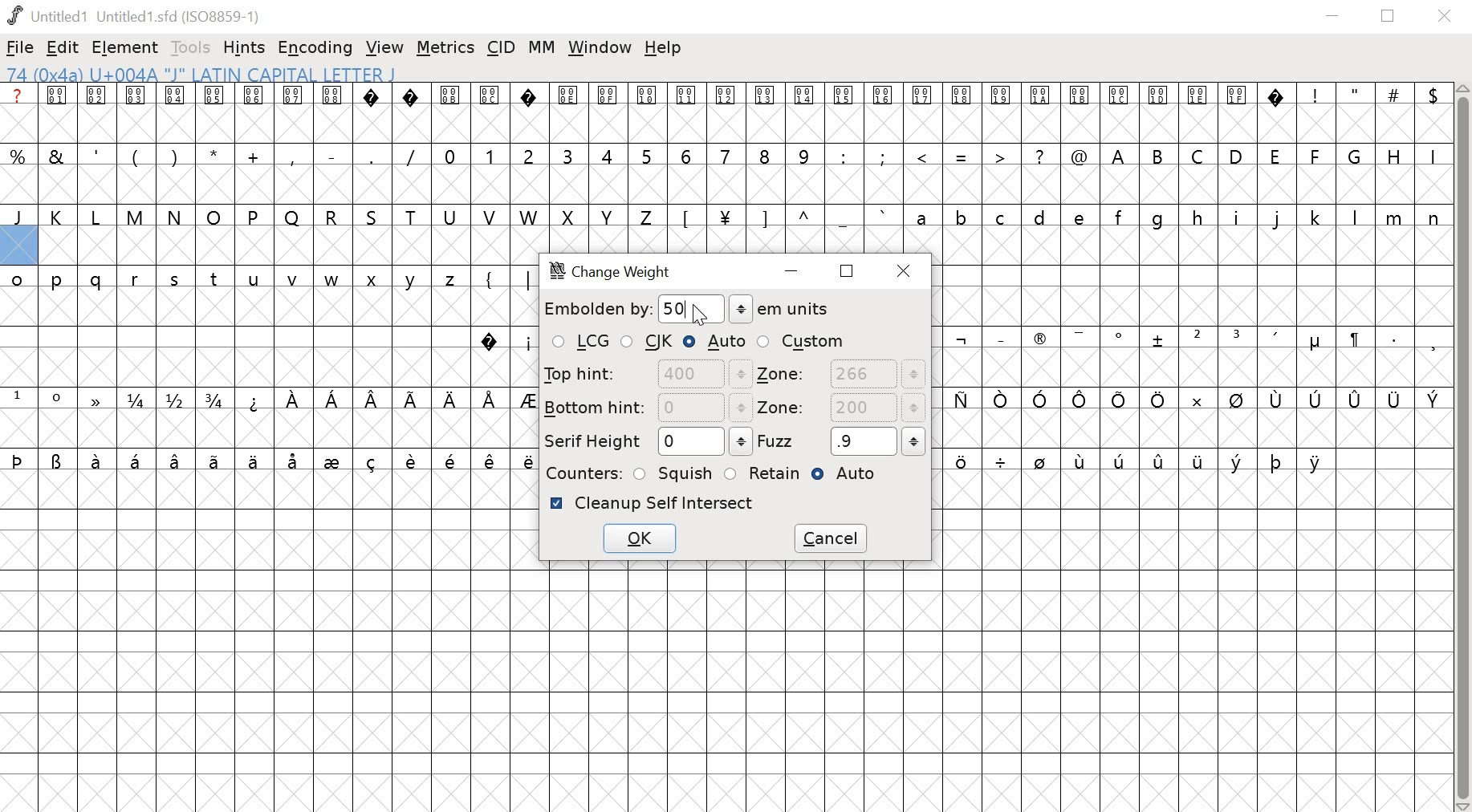 This screenshot has height=812, width=1472. I want to click on minimize, so click(795, 273).